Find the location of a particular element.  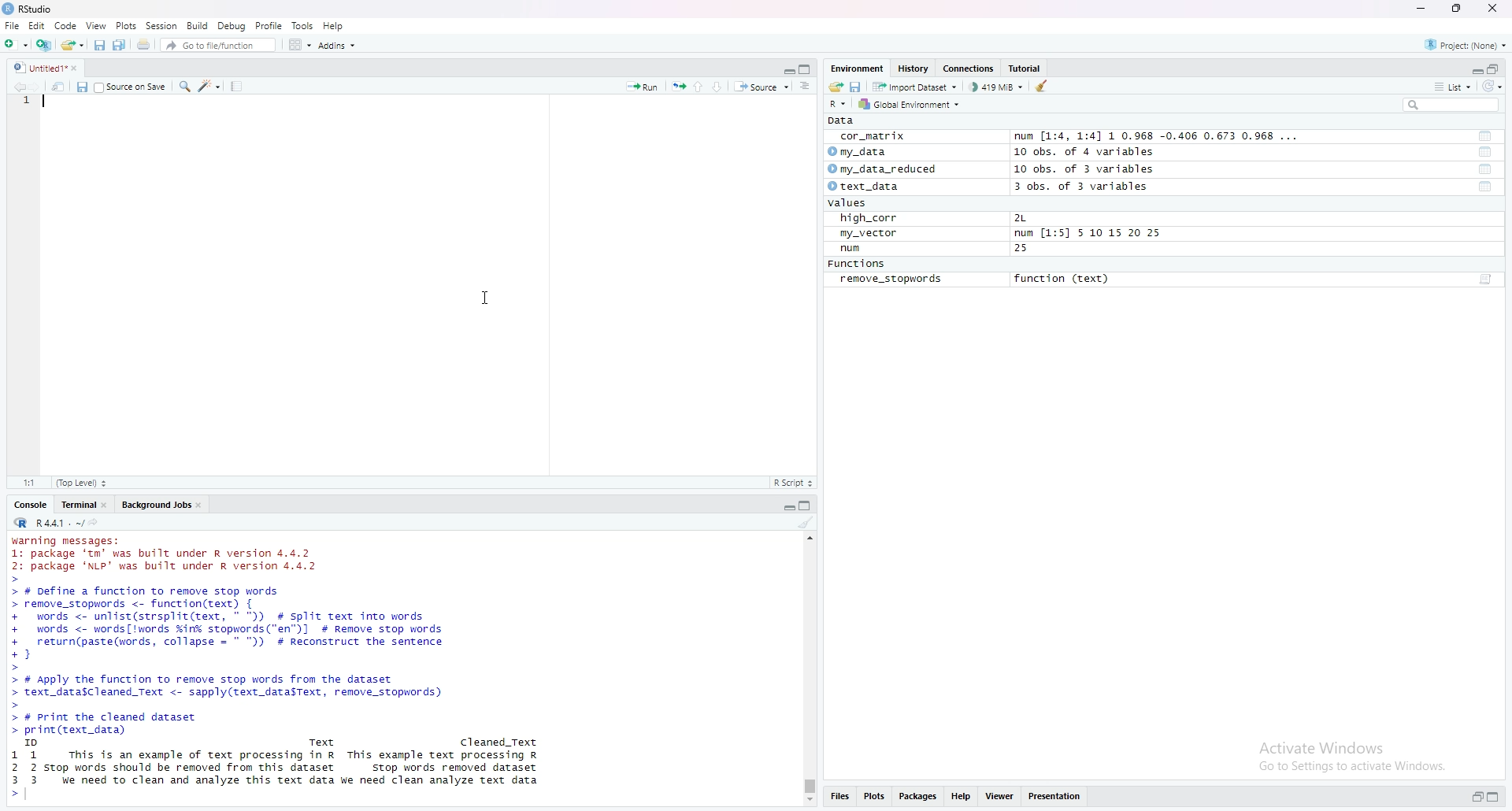

Functions is located at coordinates (856, 263).